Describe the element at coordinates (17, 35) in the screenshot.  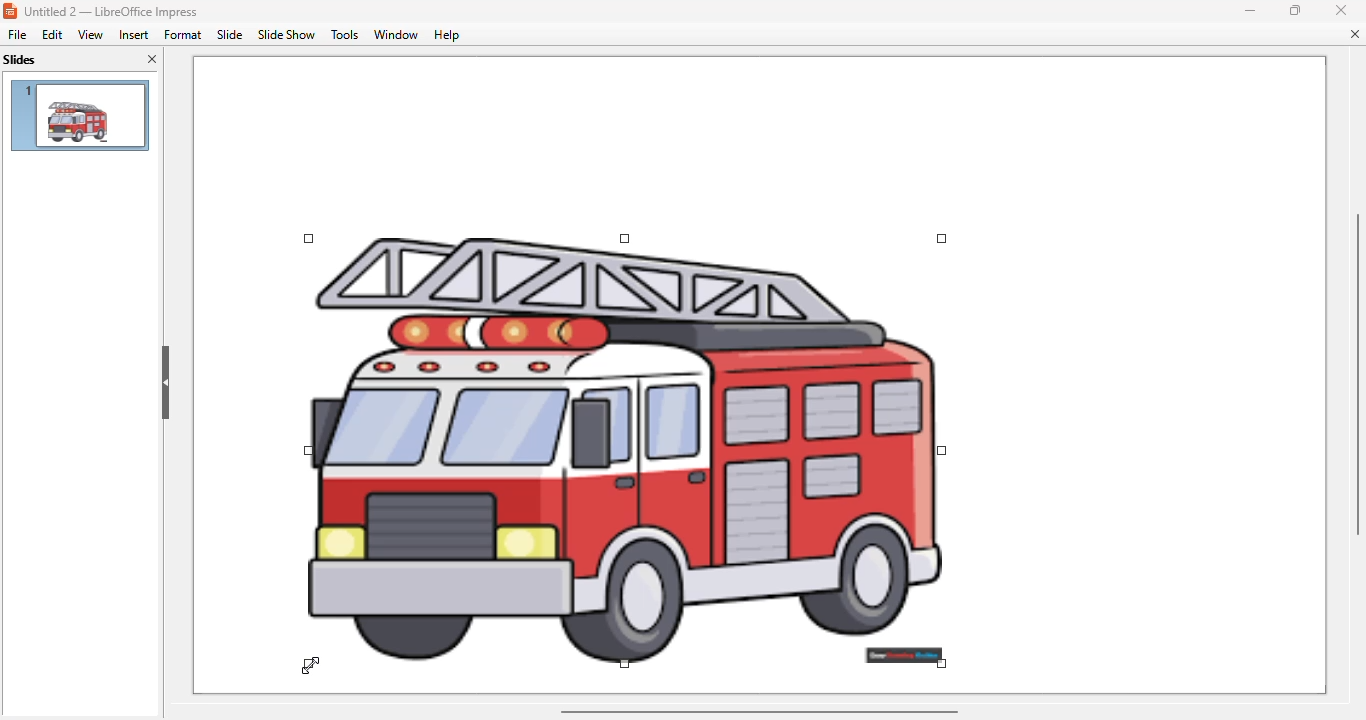
I see `file` at that location.